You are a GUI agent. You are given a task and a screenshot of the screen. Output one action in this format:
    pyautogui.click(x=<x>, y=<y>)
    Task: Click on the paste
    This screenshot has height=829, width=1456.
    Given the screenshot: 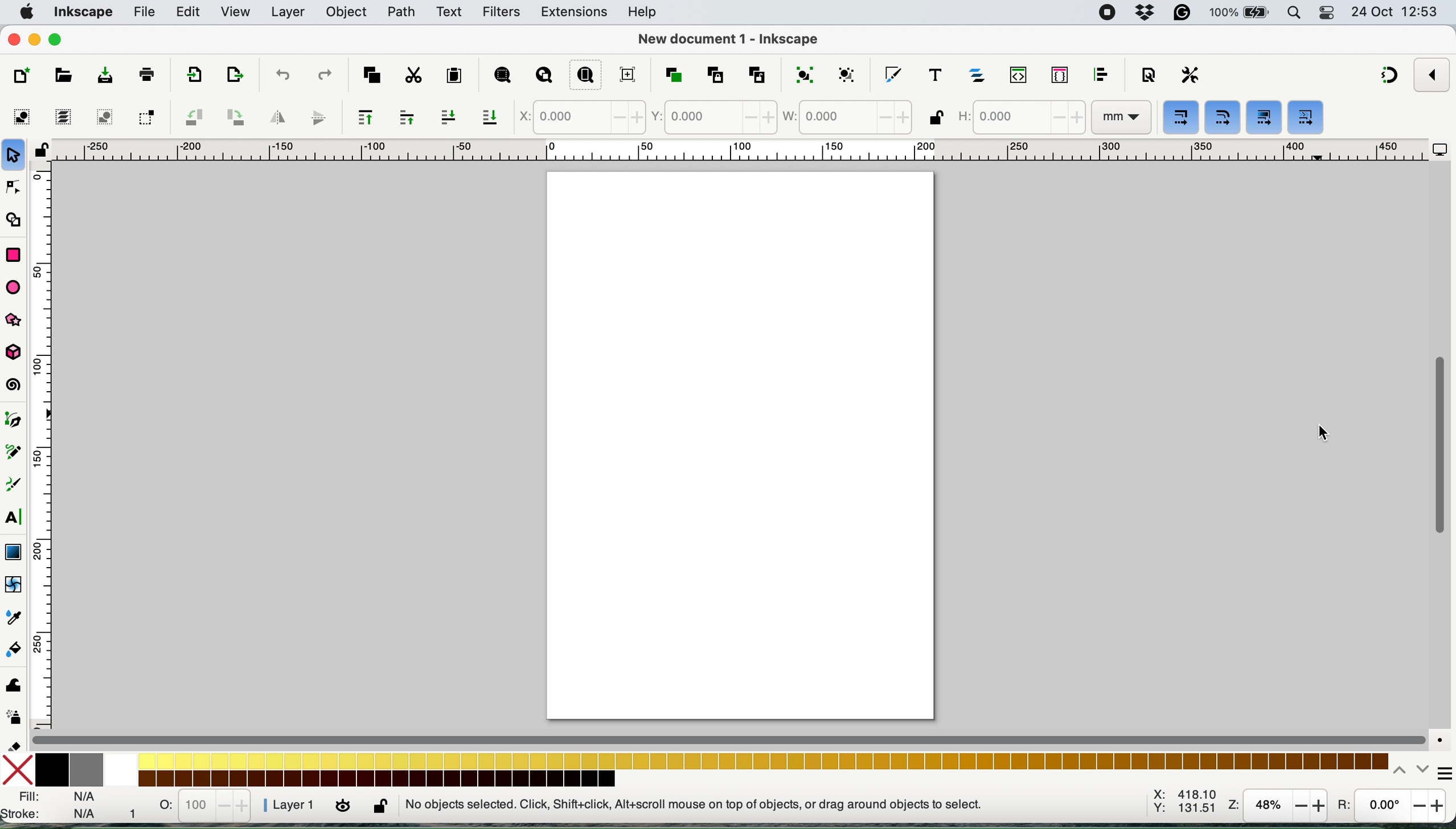 What is the action you would take?
    pyautogui.click(x=452, y=77)
    